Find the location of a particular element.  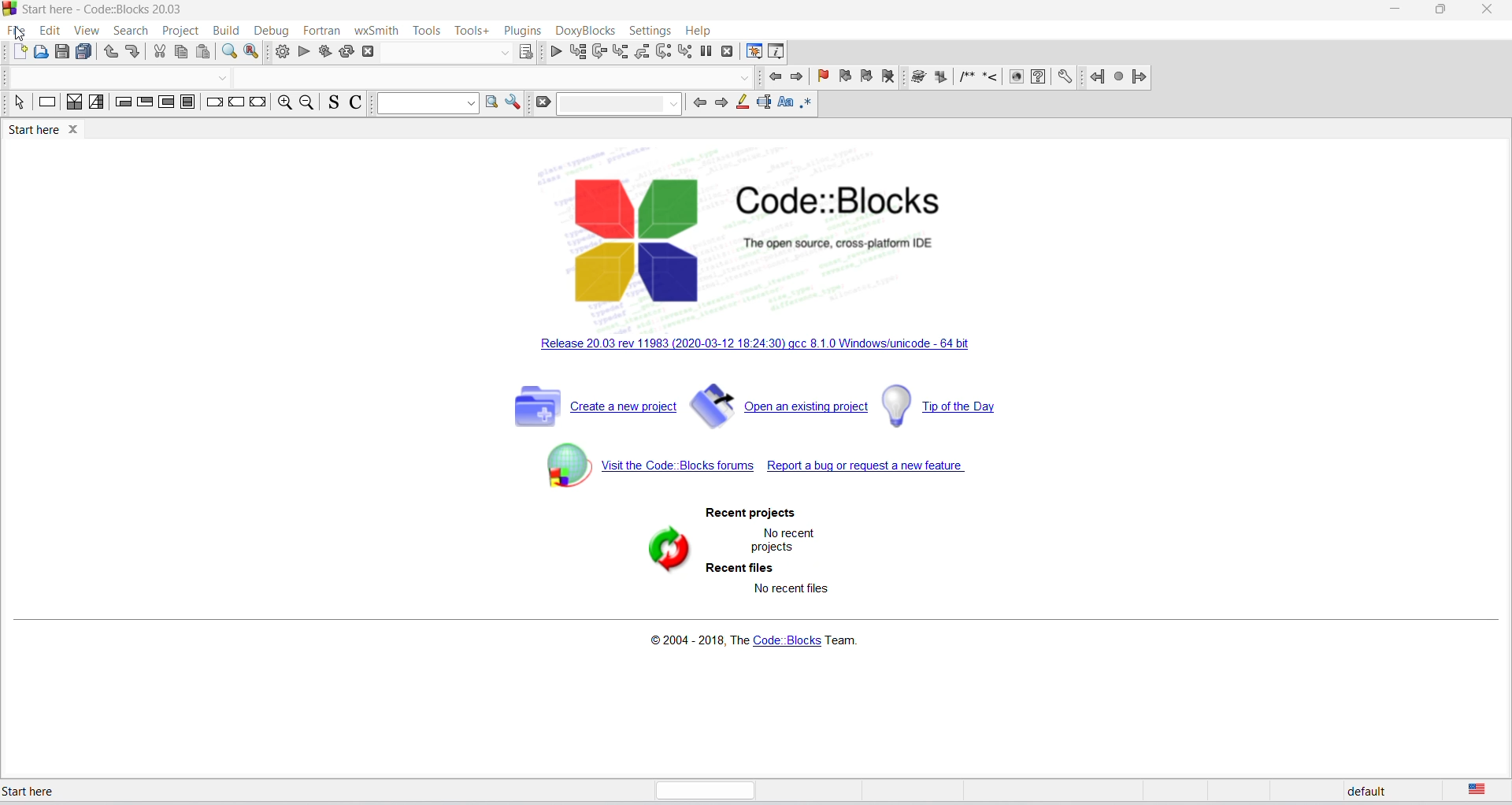

replace is located at coordinates (253, 51).